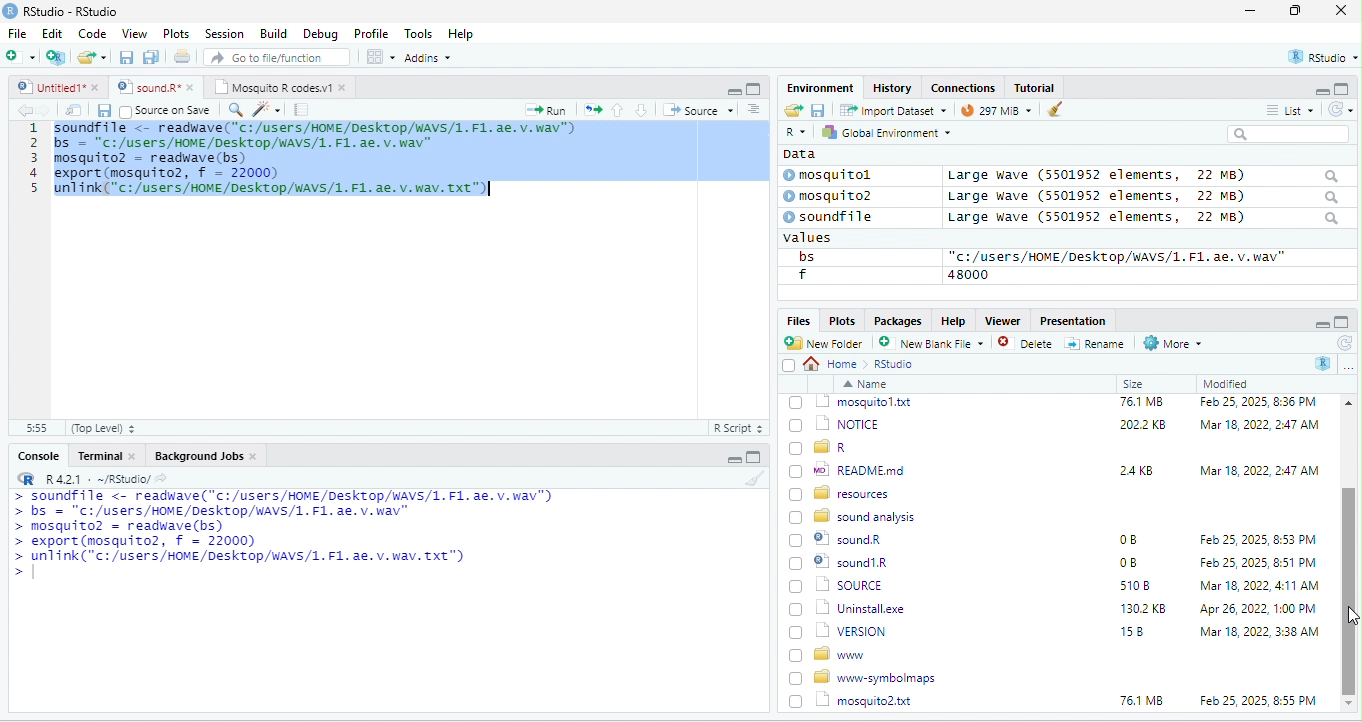  What do you see at coordinates (380, 57) in the screenshot?
I see `view` at bounding box center [380, 57].